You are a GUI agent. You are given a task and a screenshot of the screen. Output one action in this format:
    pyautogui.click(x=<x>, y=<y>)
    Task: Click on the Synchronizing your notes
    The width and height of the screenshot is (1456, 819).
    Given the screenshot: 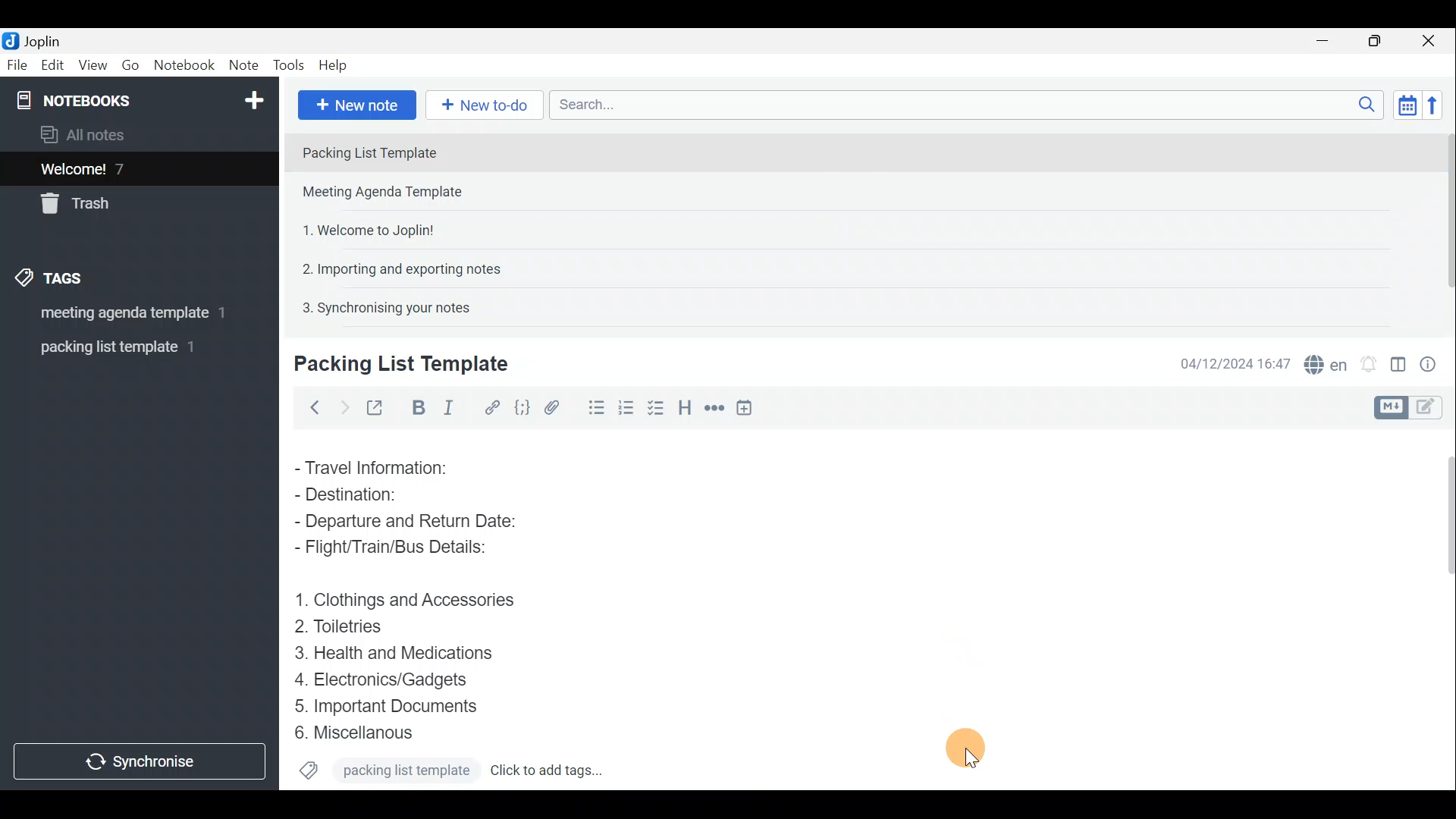 What is the action you would take?
    pyautogui.click(x=390, y=307)
    